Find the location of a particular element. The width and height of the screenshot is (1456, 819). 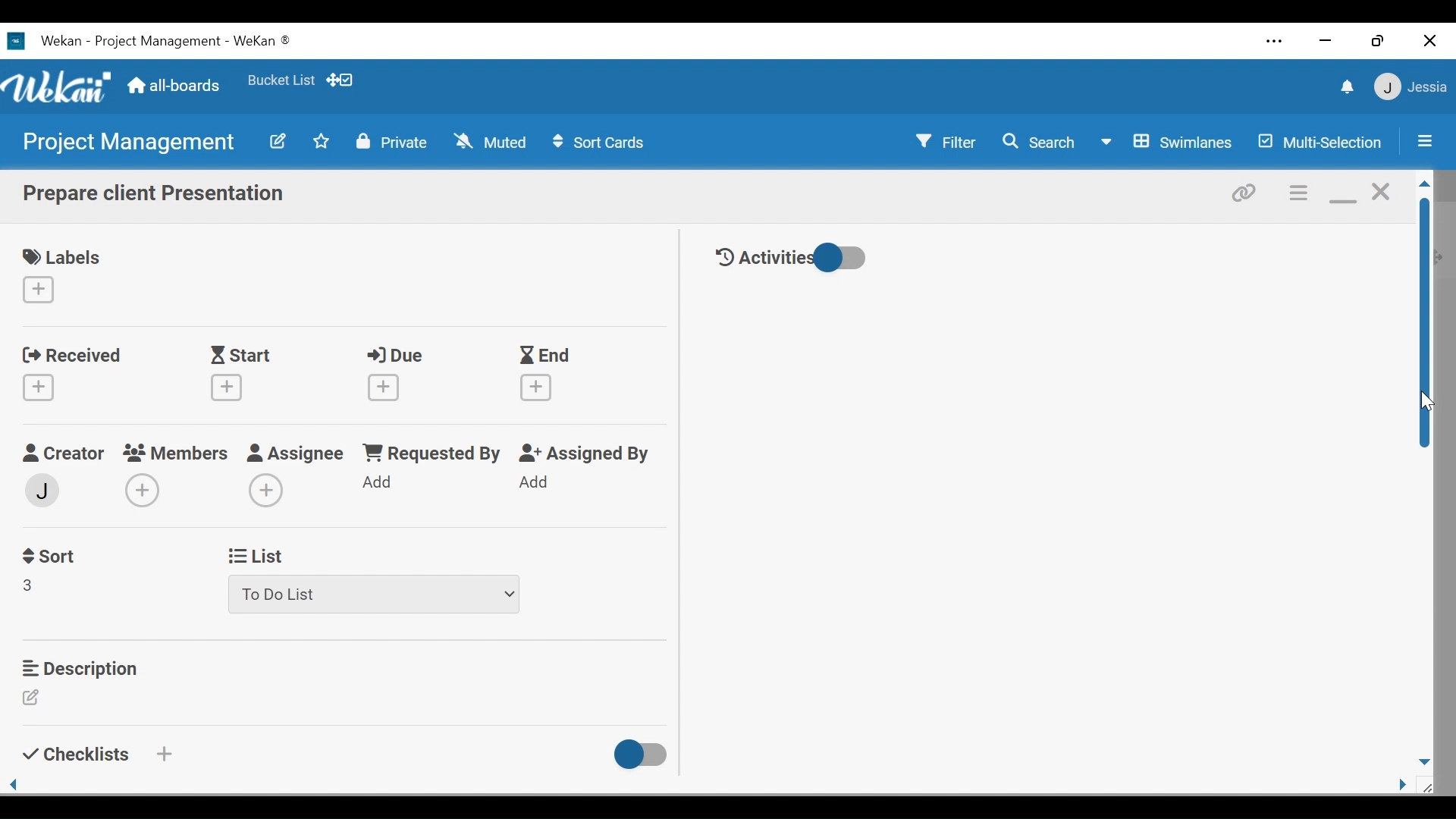

Card actions is located at coordinates (1296, 191).